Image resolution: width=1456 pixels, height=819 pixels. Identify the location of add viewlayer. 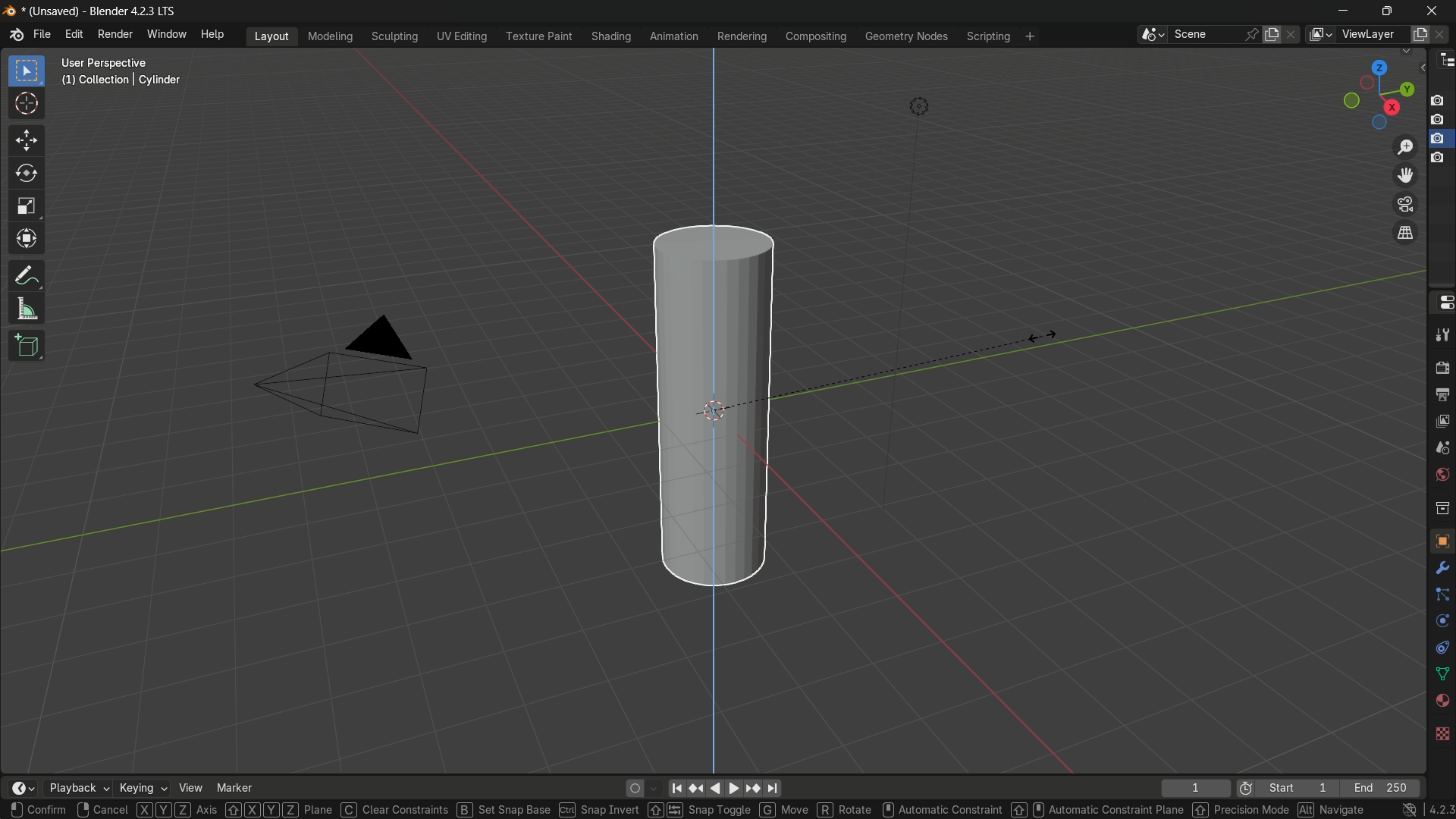
(1420, 35).